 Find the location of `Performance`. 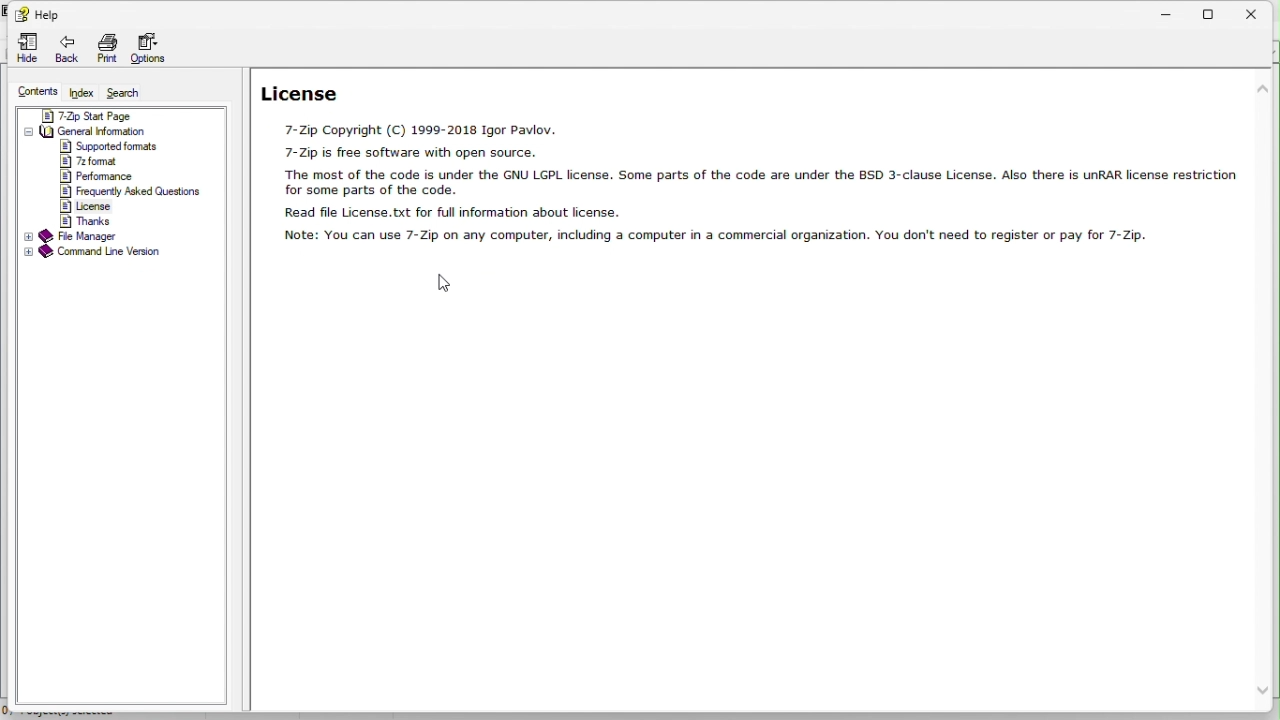

Performance is located at coordinates (97, 177).